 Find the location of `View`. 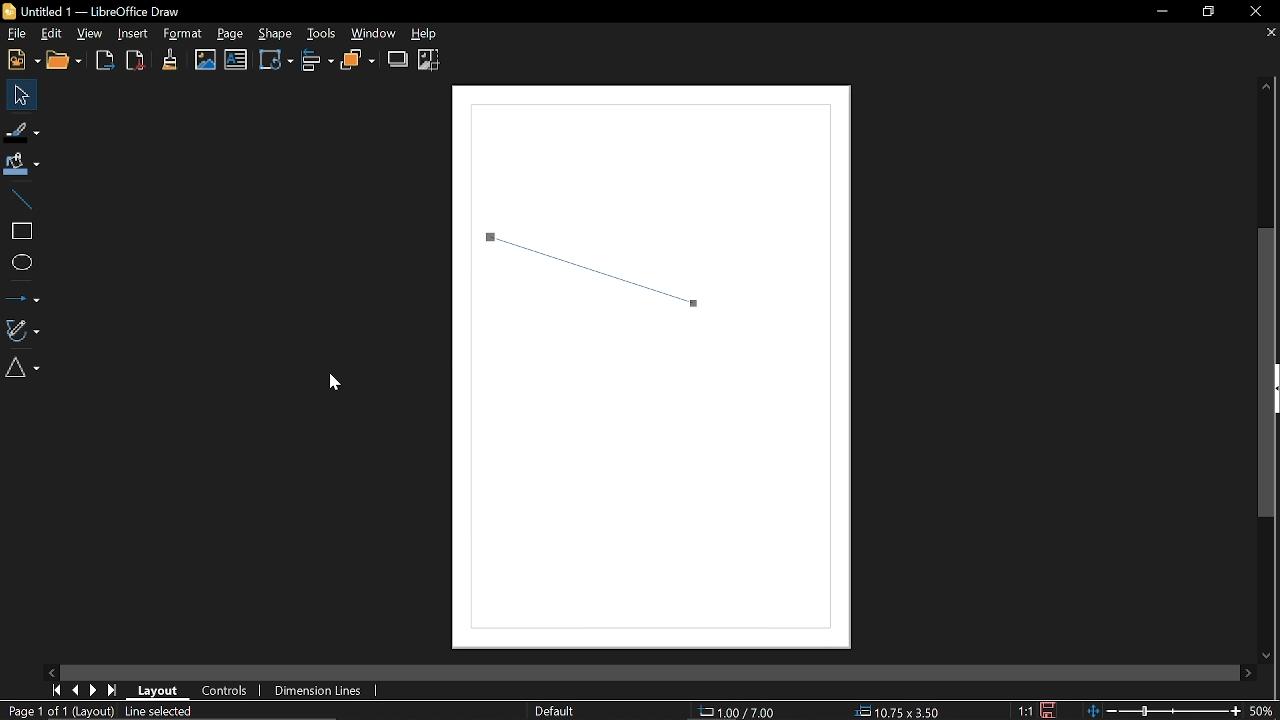

View is located at coordinates (93, 33).